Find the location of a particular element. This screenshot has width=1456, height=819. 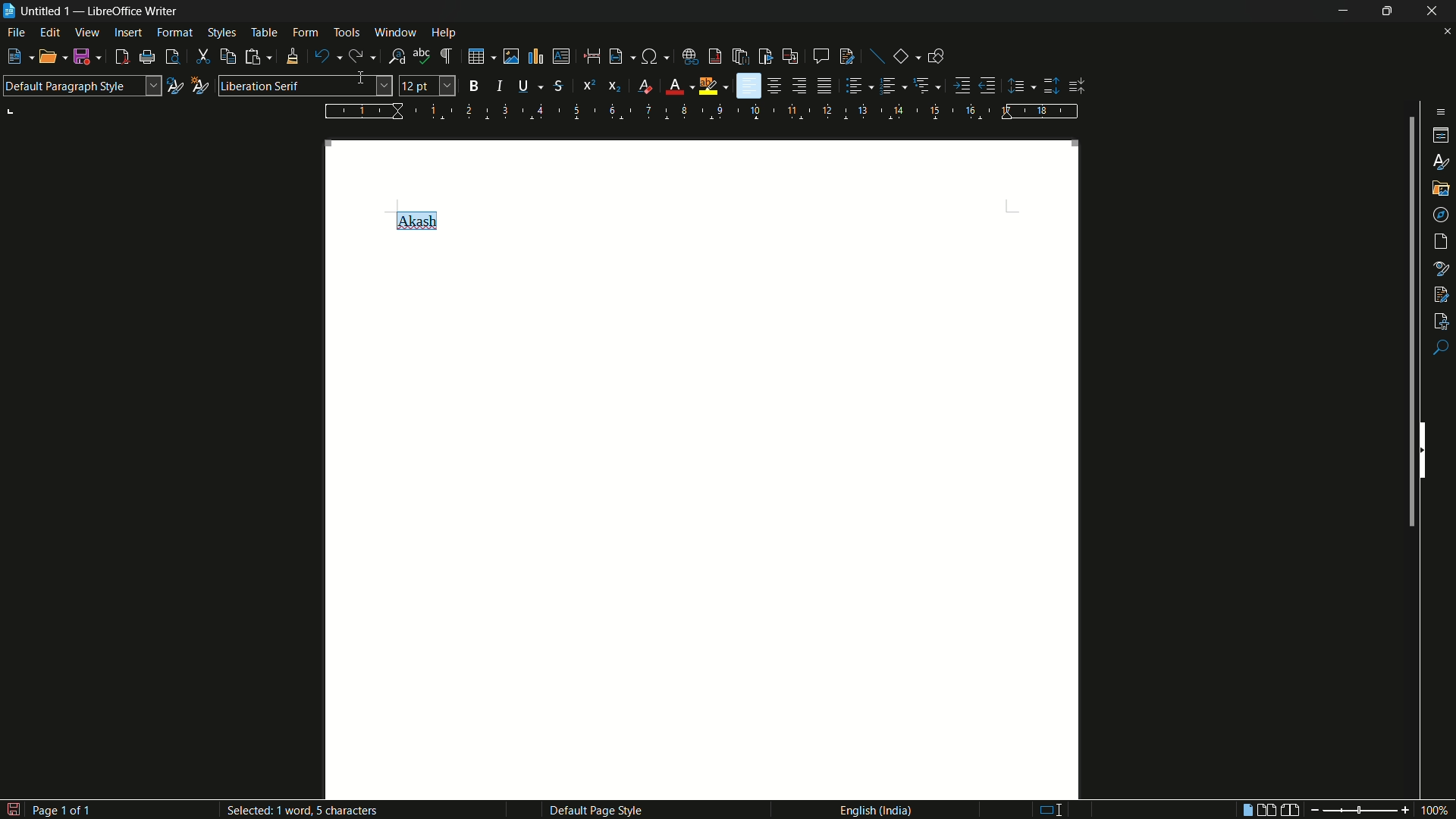

width measure scale is located at coordinates (703, 111).